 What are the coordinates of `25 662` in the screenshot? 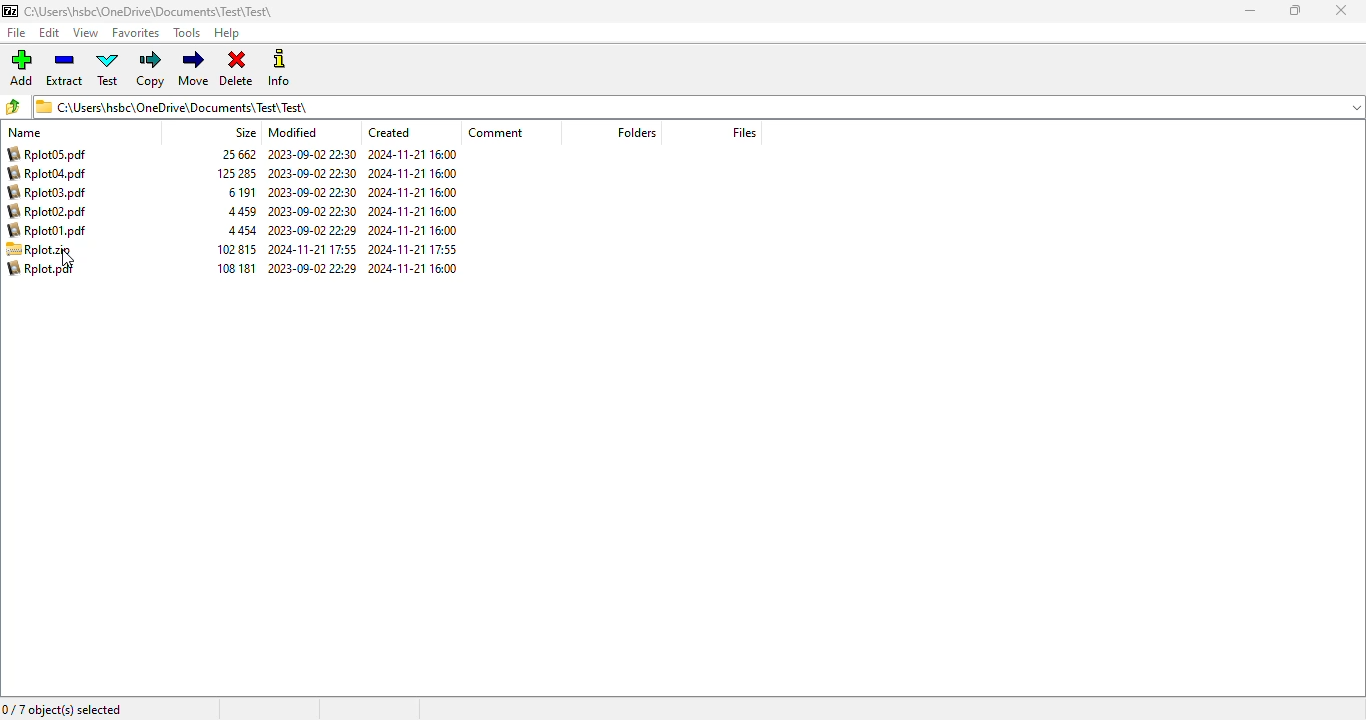 It's located at (241, 155).